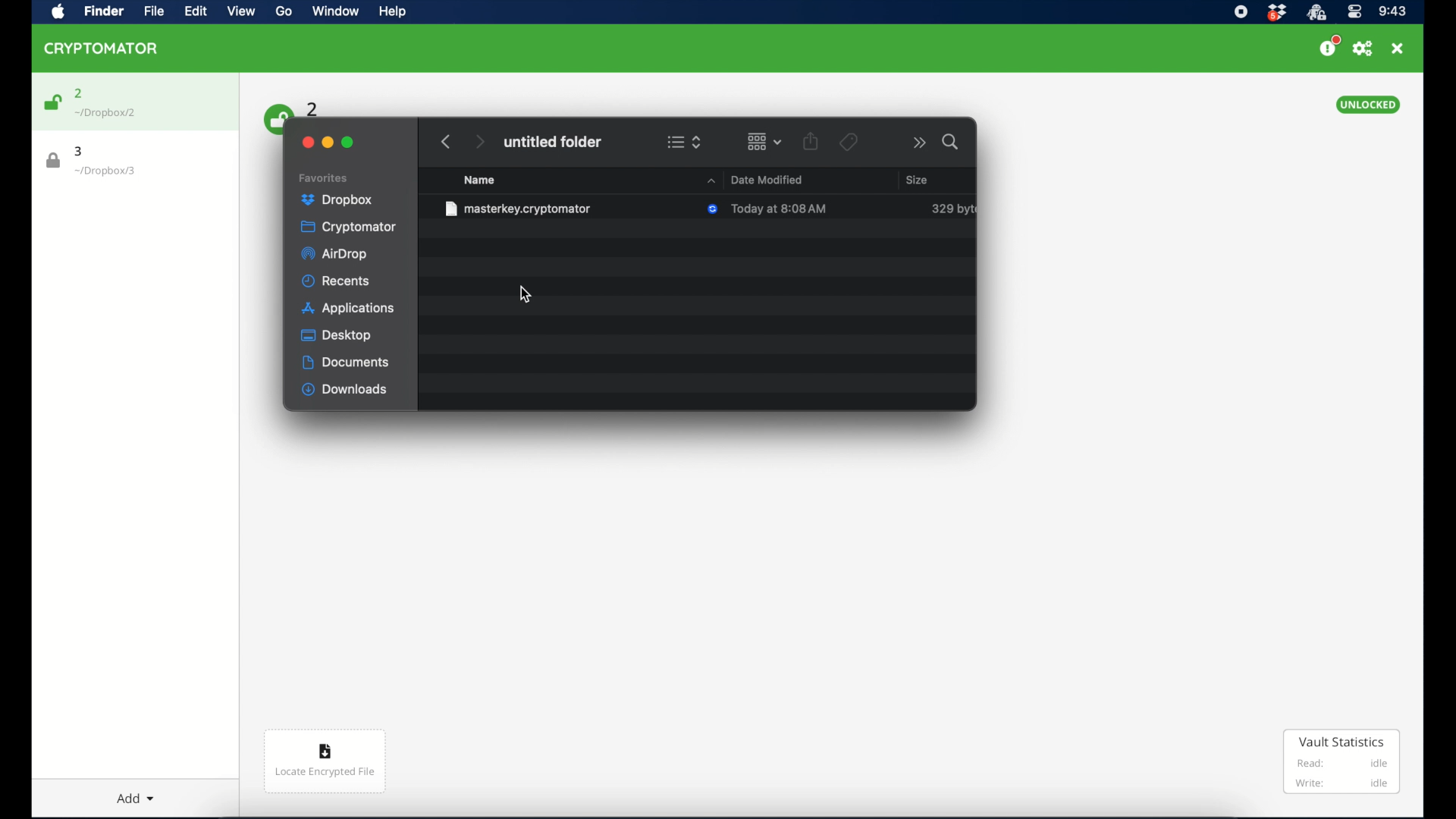  Describe the element at coordinates (80, 151) in the screenshot. I see `3` at that location.